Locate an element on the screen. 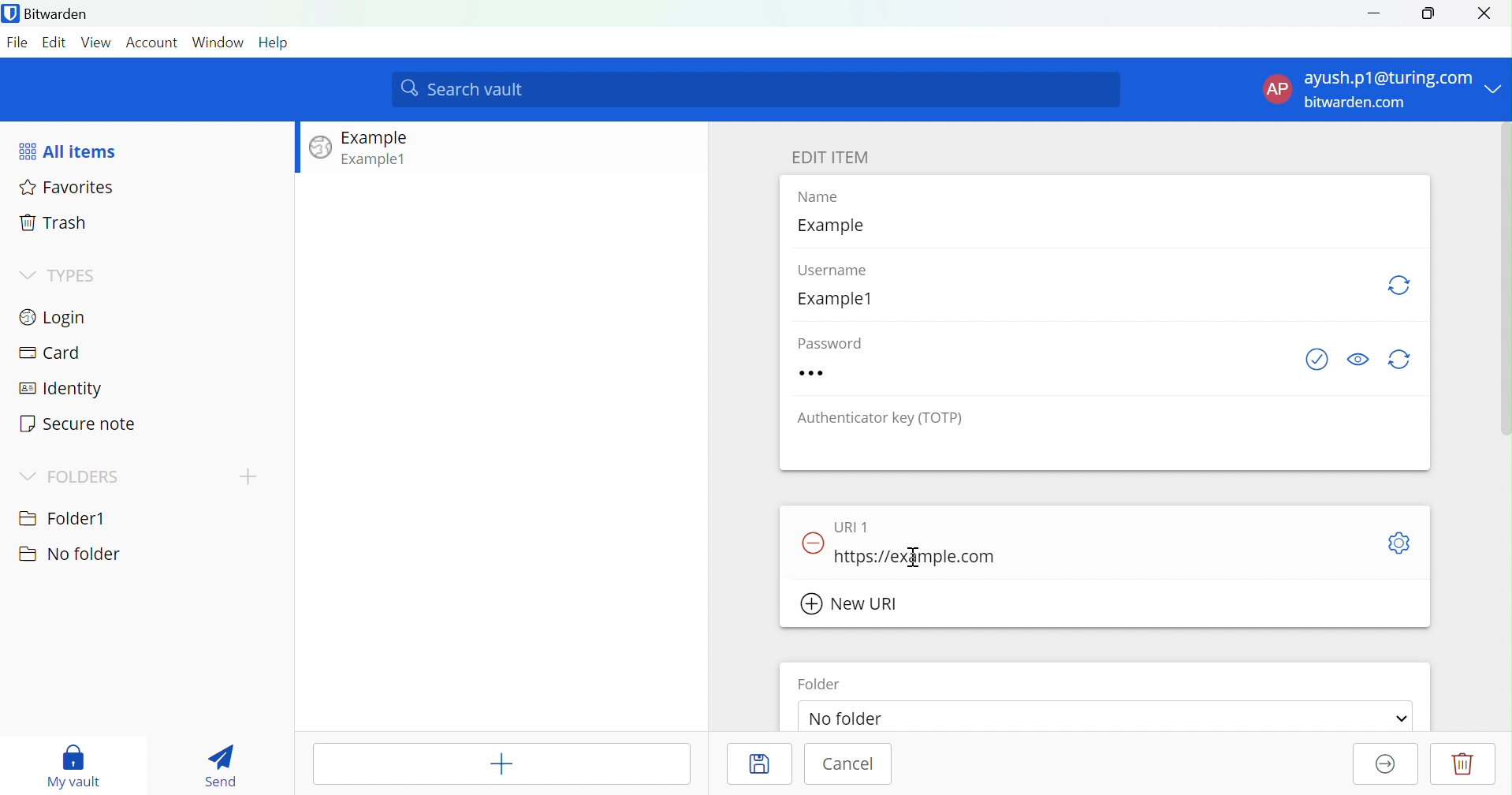 This screenshot has height=795, width=1512. Account is located at coordinates (153, 43).